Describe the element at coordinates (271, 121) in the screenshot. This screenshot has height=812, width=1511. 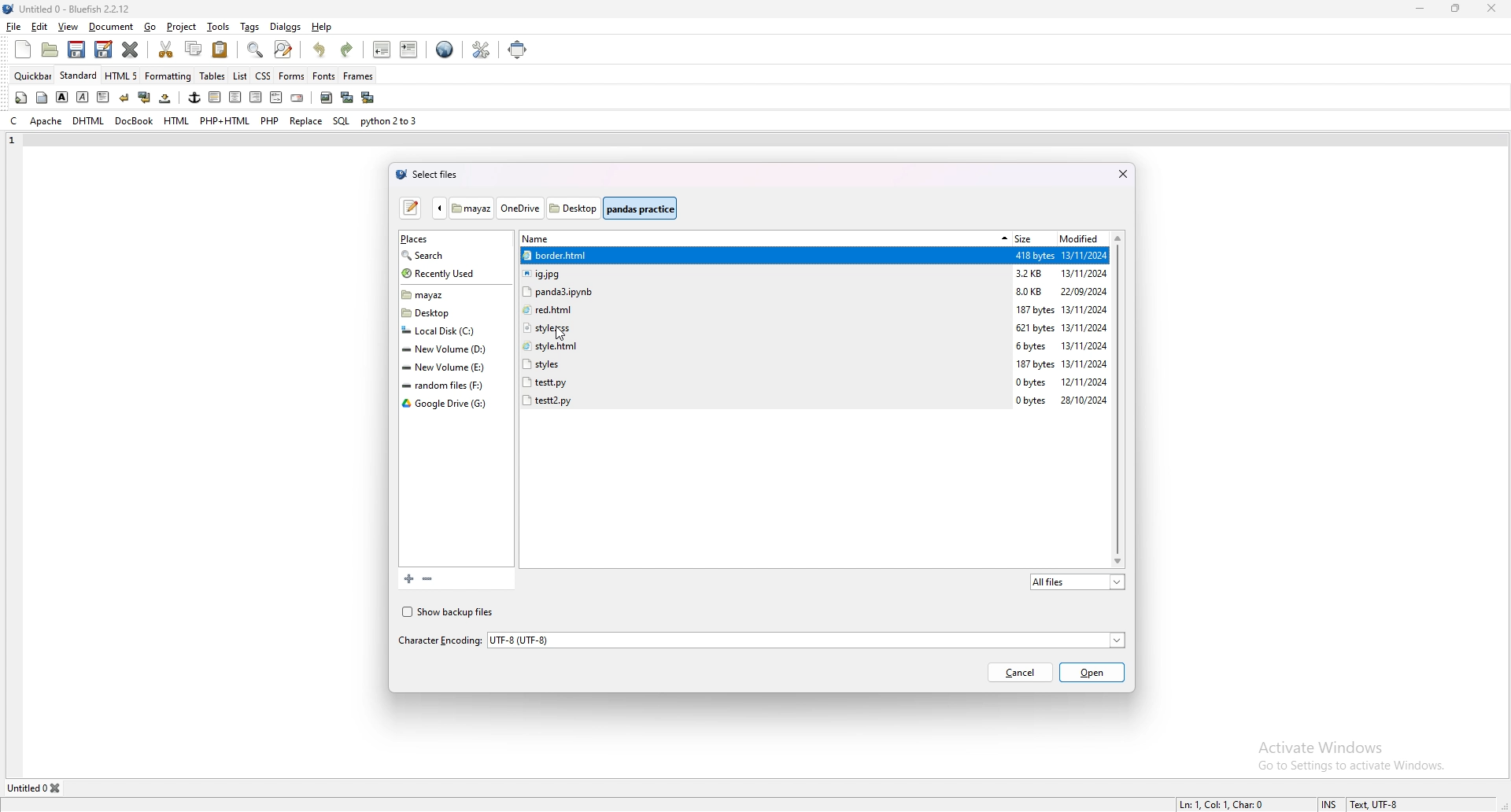
I see `php` at that location.